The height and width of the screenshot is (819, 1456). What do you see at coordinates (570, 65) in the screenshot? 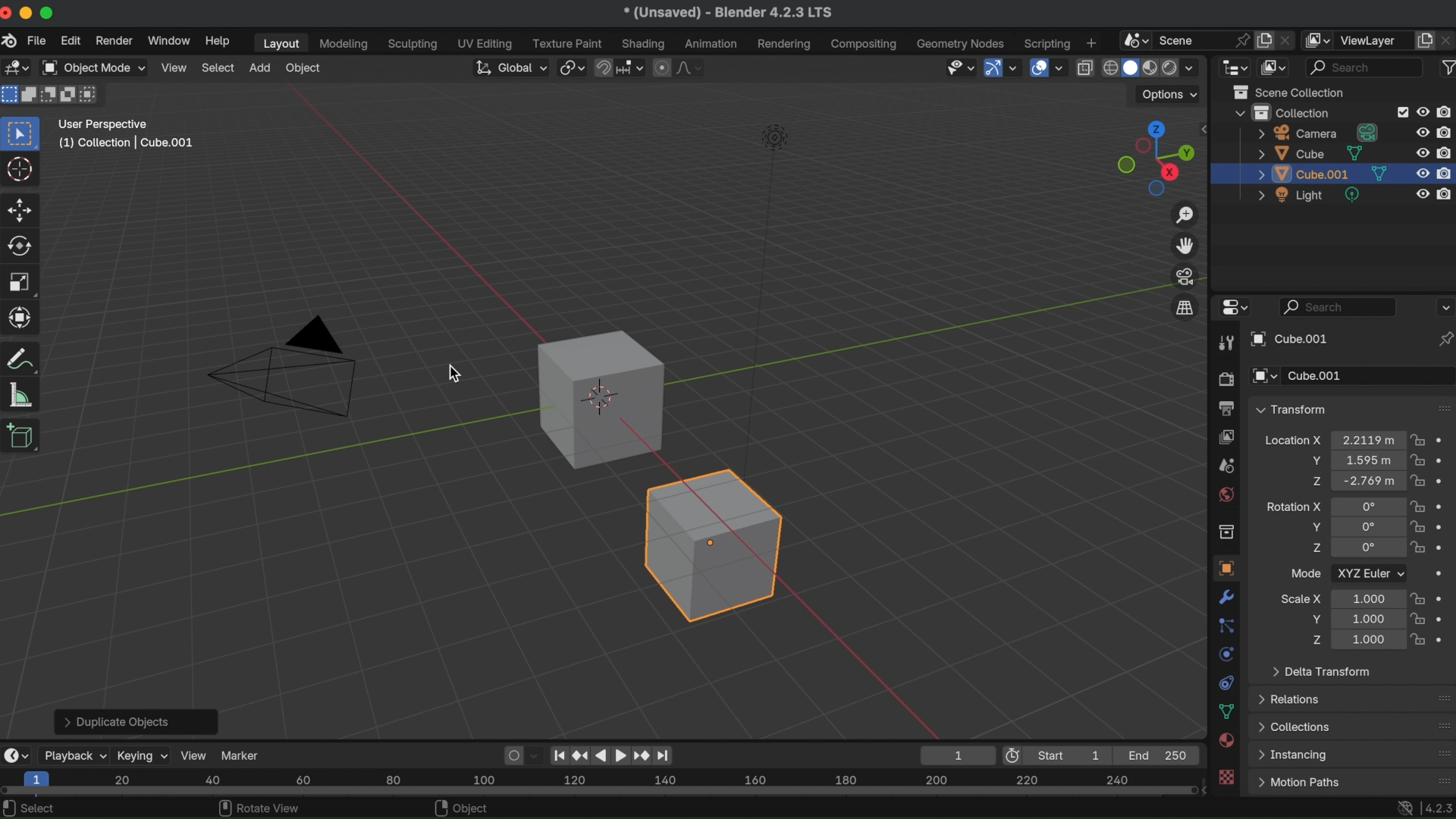
I see `transform pivot point` at bounding box center [570, 65].